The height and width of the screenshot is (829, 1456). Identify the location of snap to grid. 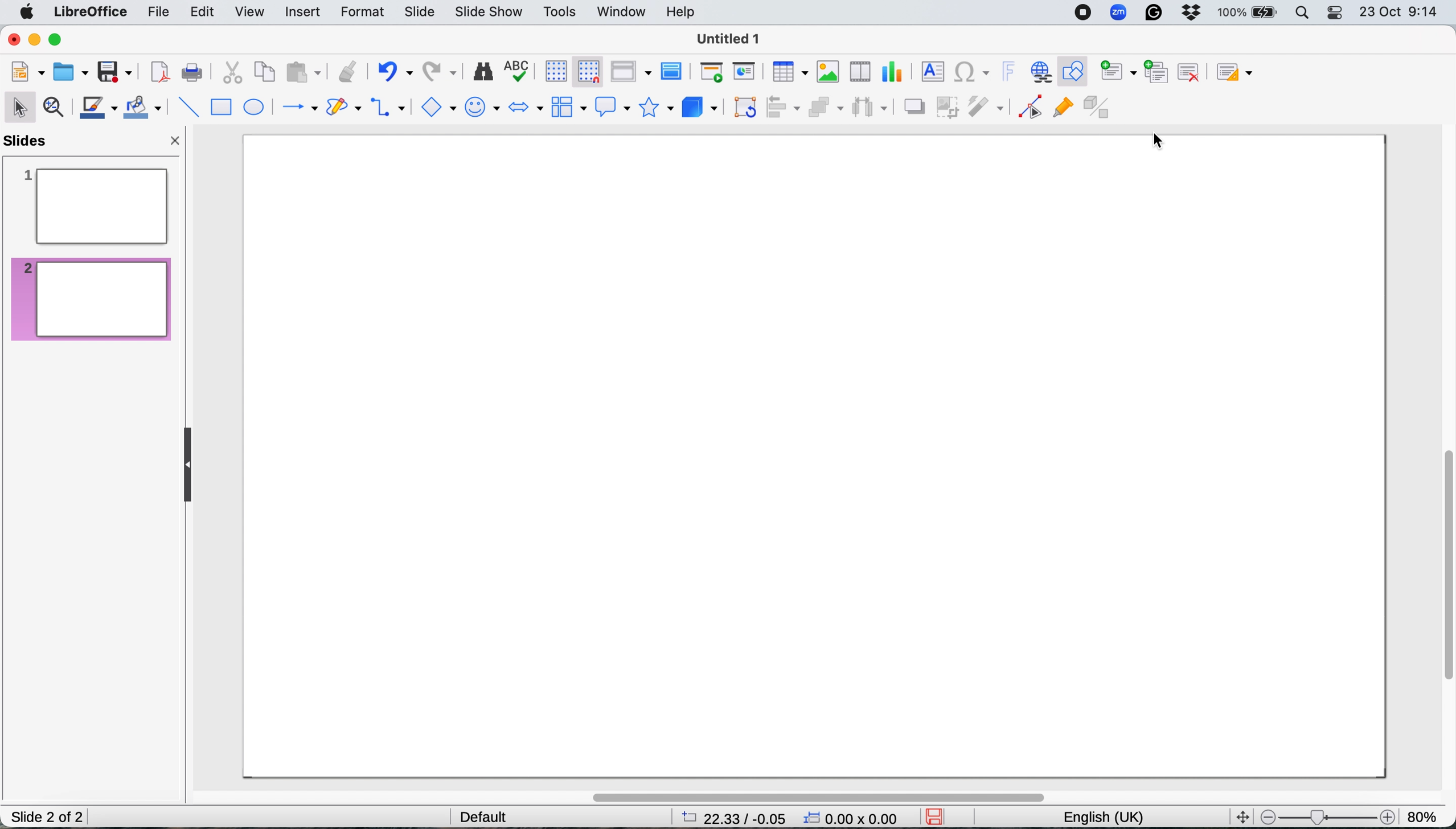
(590, 73).